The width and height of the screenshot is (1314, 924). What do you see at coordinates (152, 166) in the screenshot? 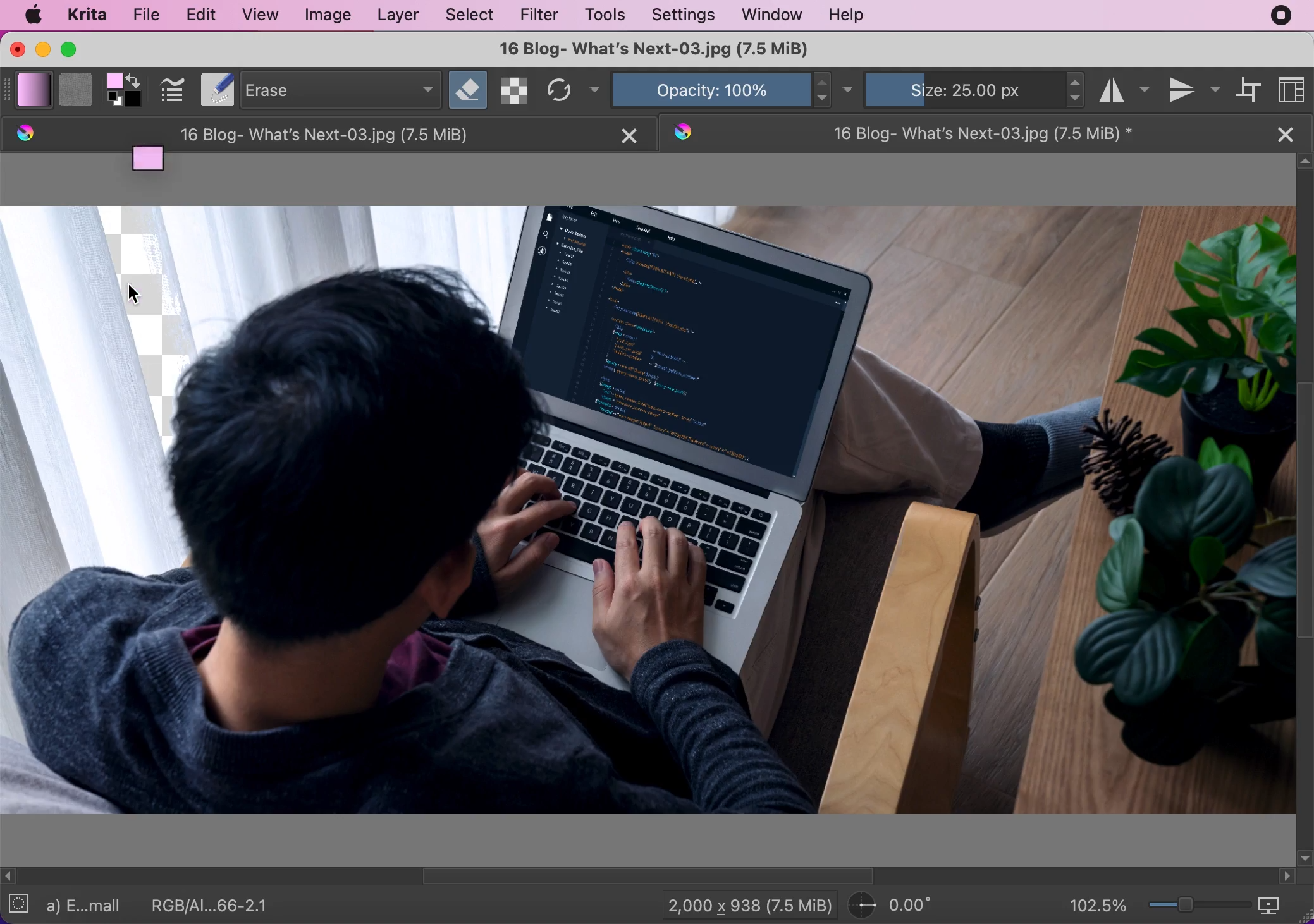
I see `moved gradient` at bounding box center [152, 166].